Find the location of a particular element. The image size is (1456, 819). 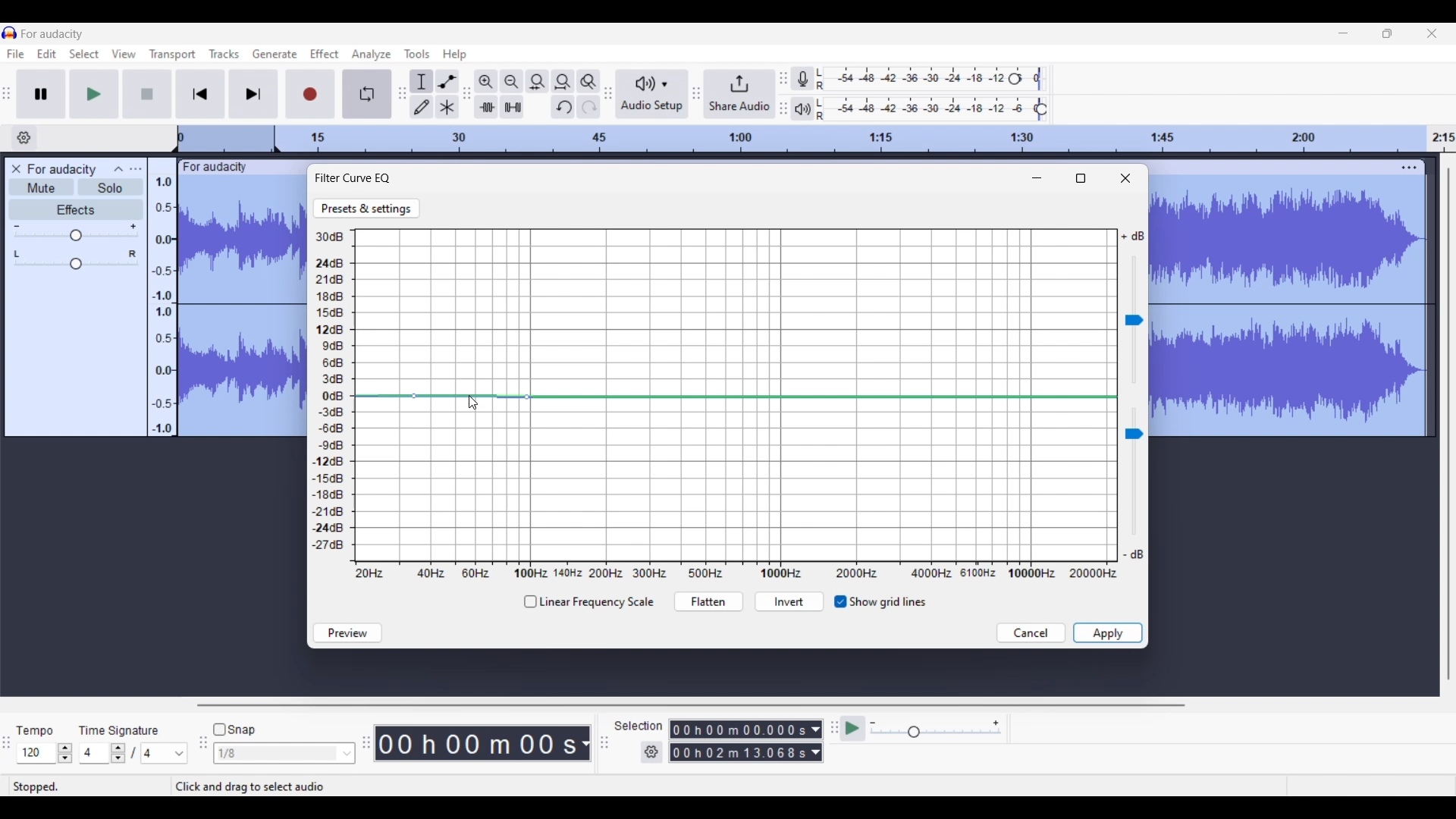

Max. gain is located at coordinates (133, 227).